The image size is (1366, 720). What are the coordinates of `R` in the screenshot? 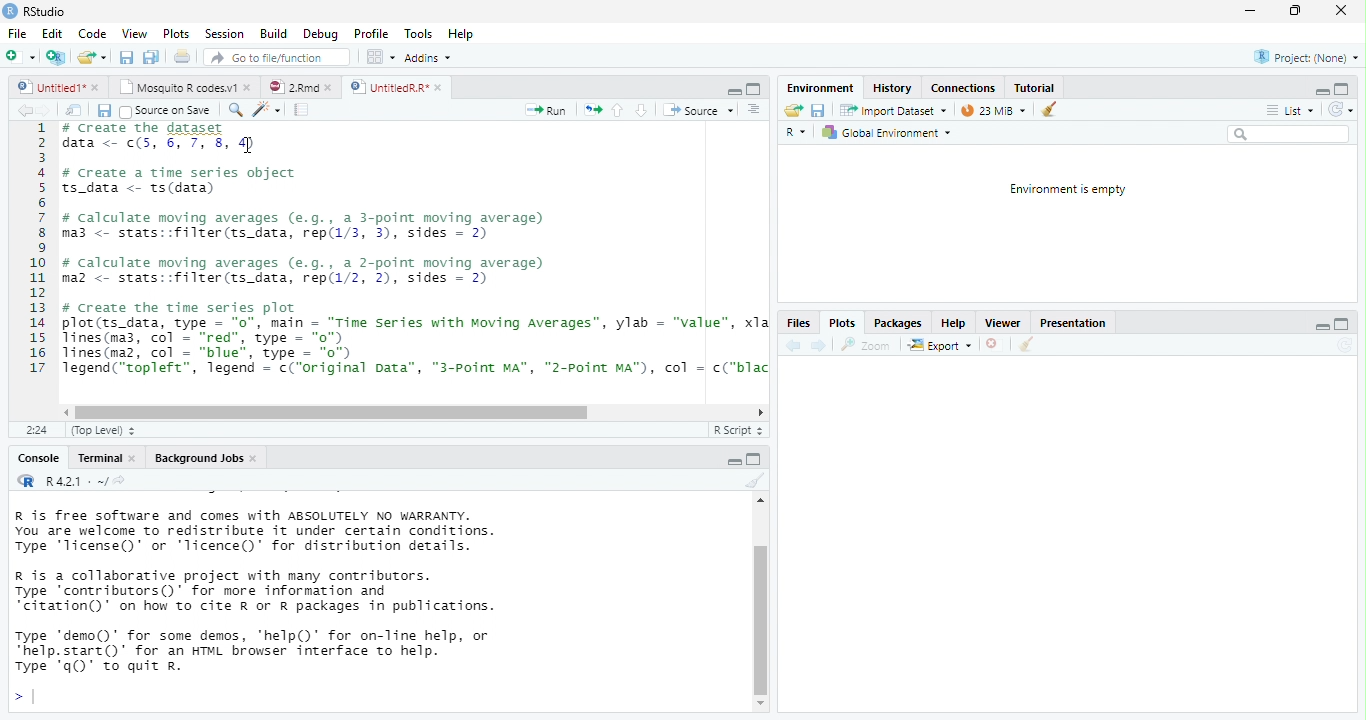 It's located at (798, 134).